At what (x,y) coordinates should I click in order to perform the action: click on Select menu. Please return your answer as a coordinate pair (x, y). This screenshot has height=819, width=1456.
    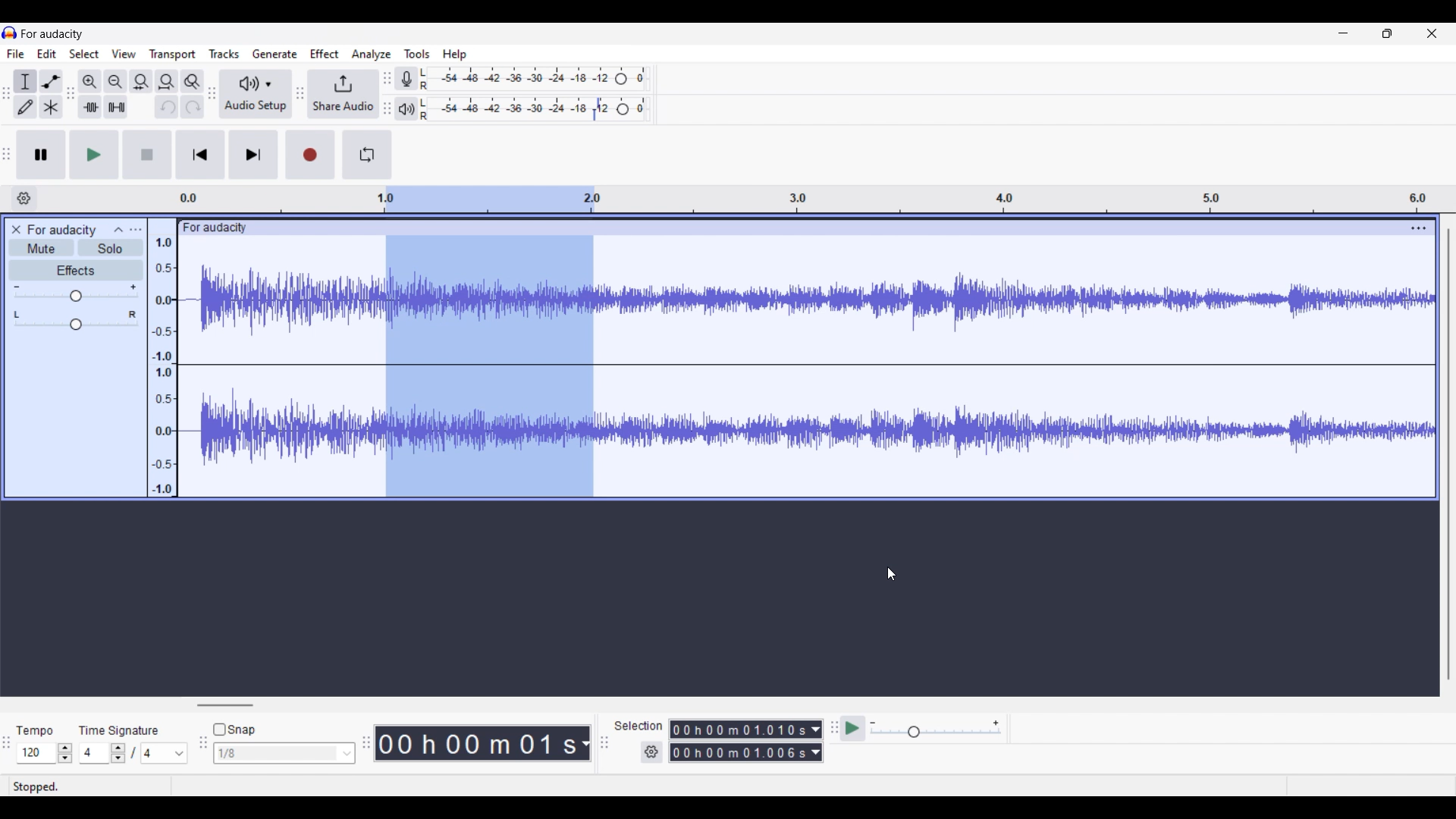
    Looking at the image, I should click on (84, 54).